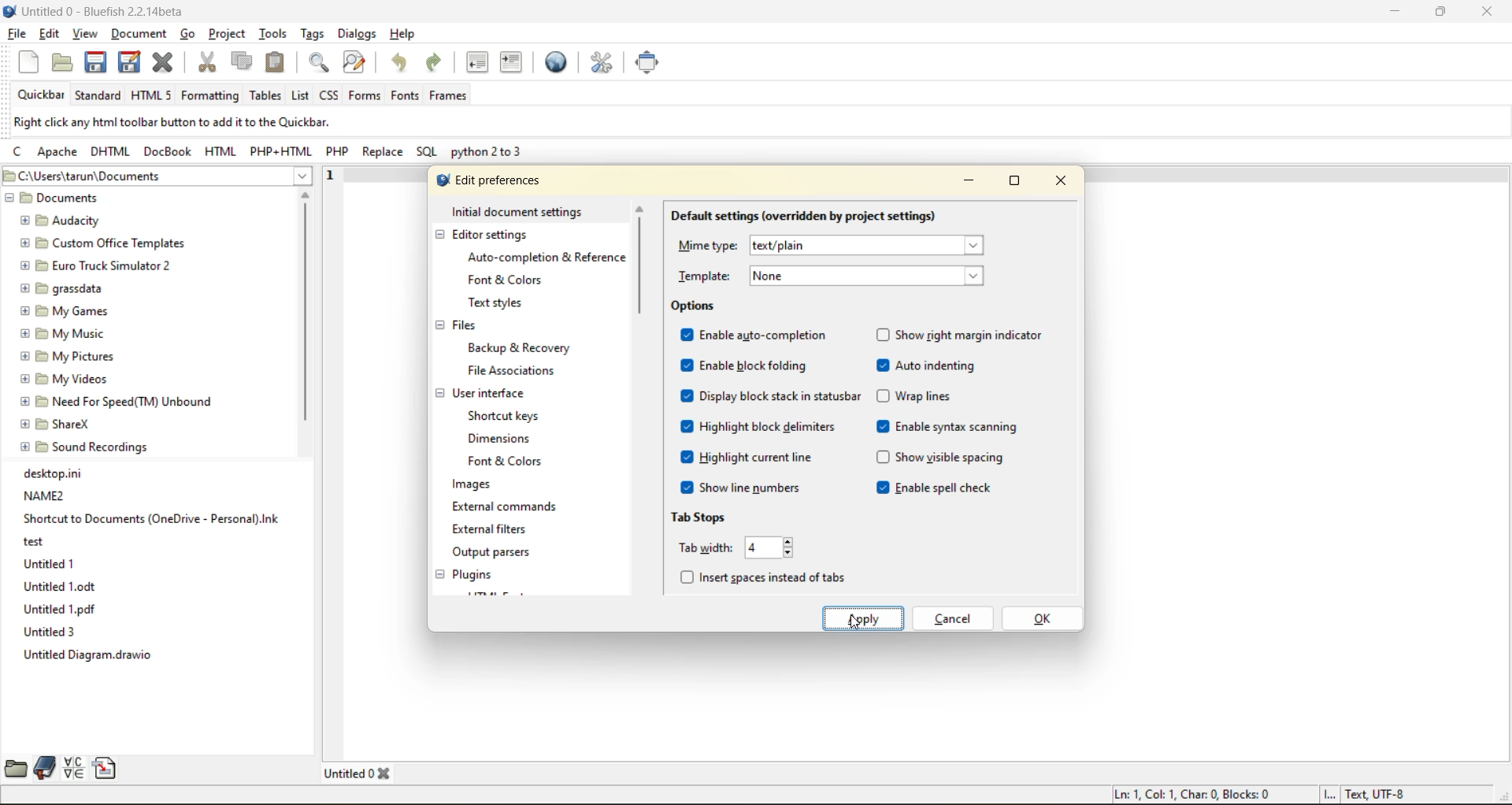 This screenshot has width=1512, height=805. Describe the element at coordinates (331, 93) in the screenshot. I see `css` at that location.